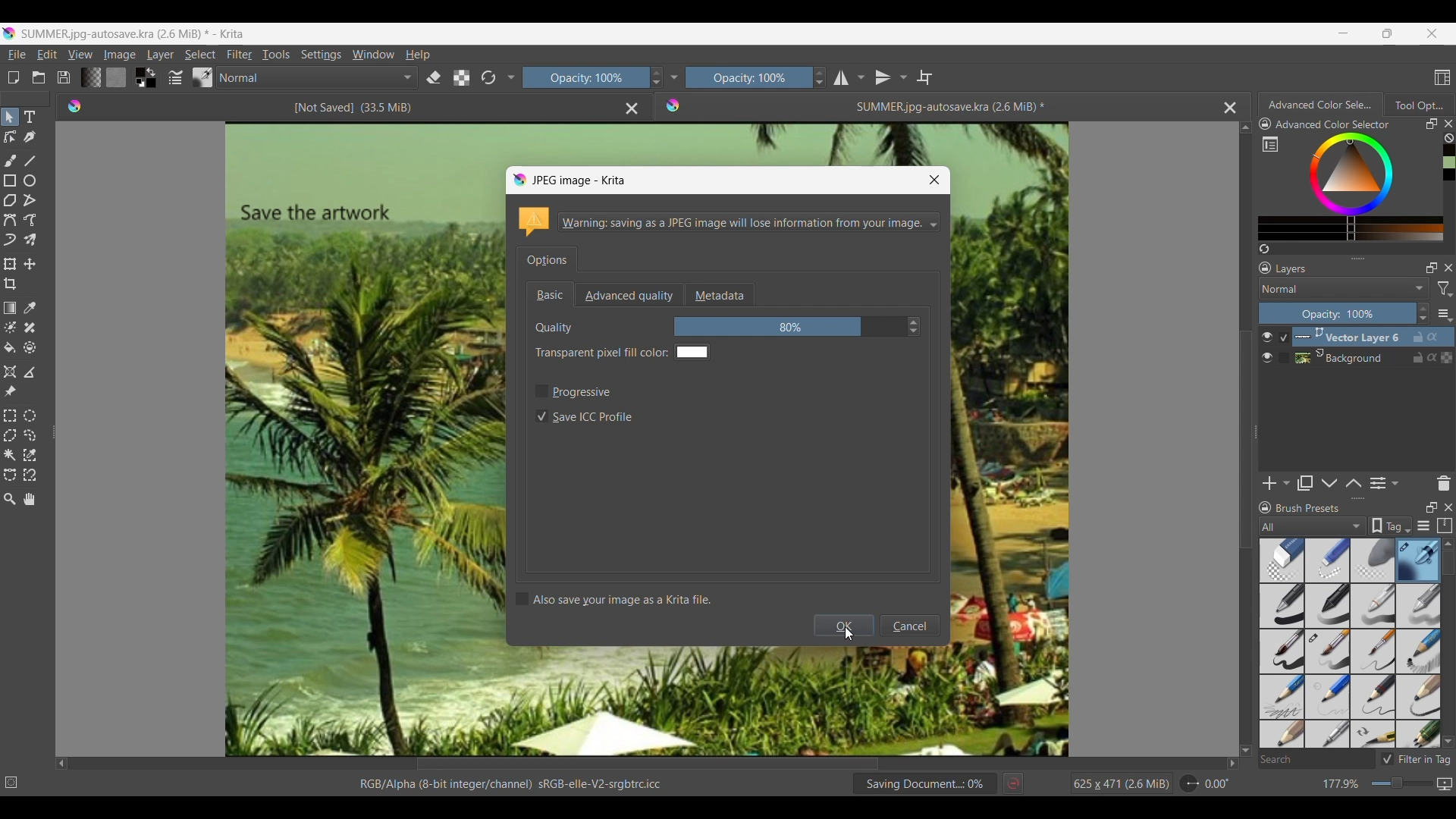 The image size is (1456, 819). Describe the element at coordinates (11, 284) in the screenshot. I see `Crop image to an area` at that location.